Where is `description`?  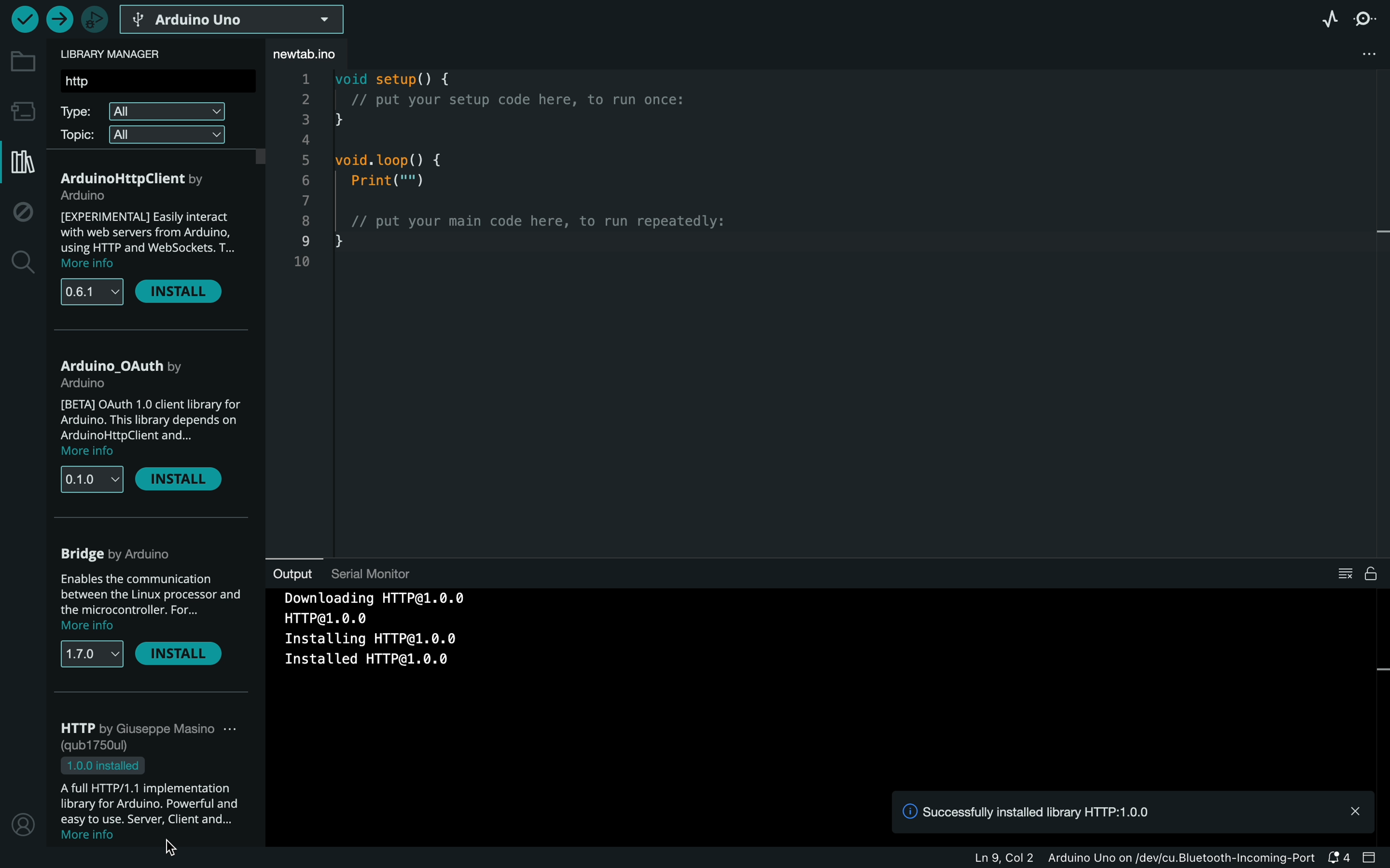
description is located at coordinates (147, 799).